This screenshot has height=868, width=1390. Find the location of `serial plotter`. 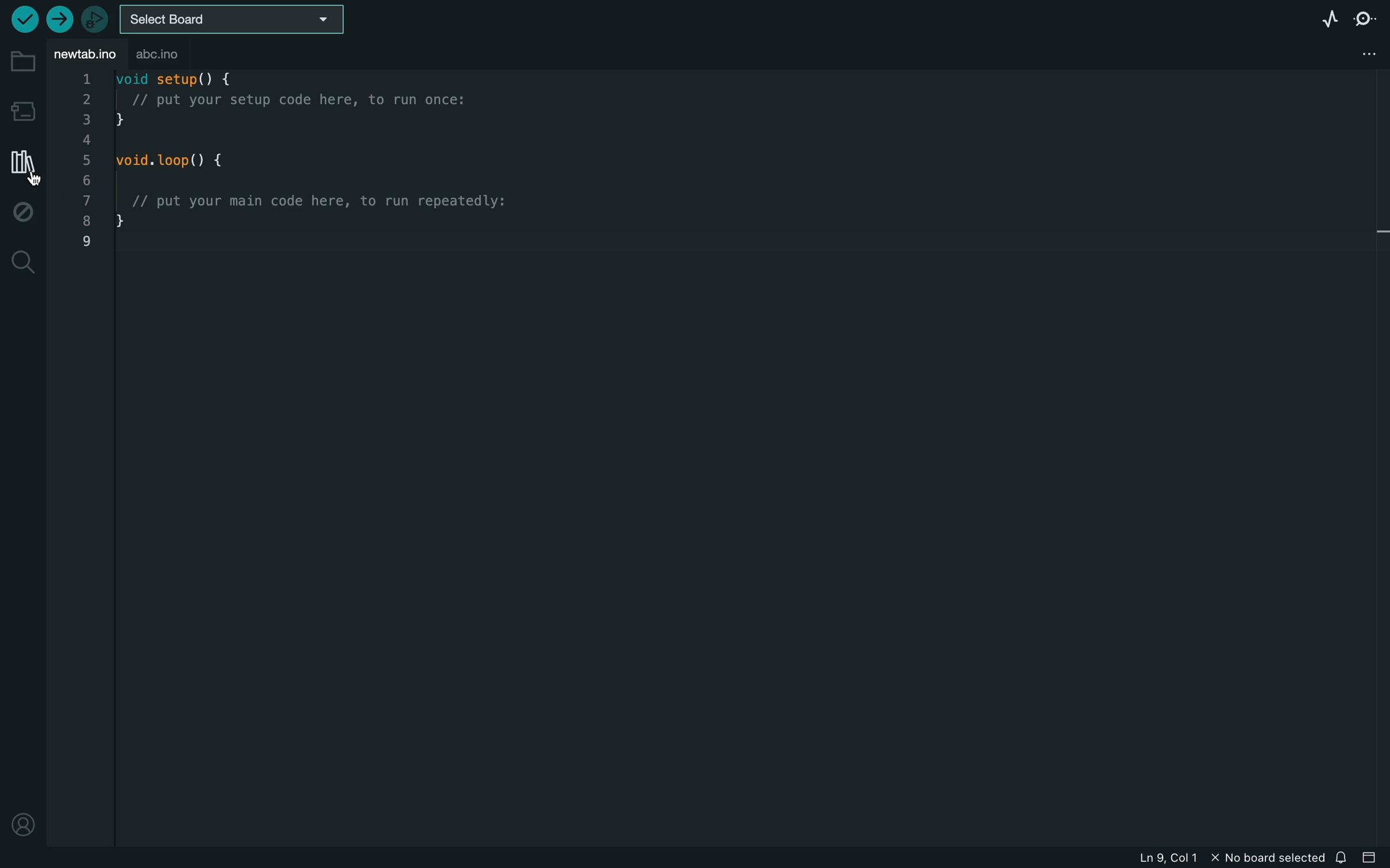

serial plotter is located at coordinates (1320, 21).